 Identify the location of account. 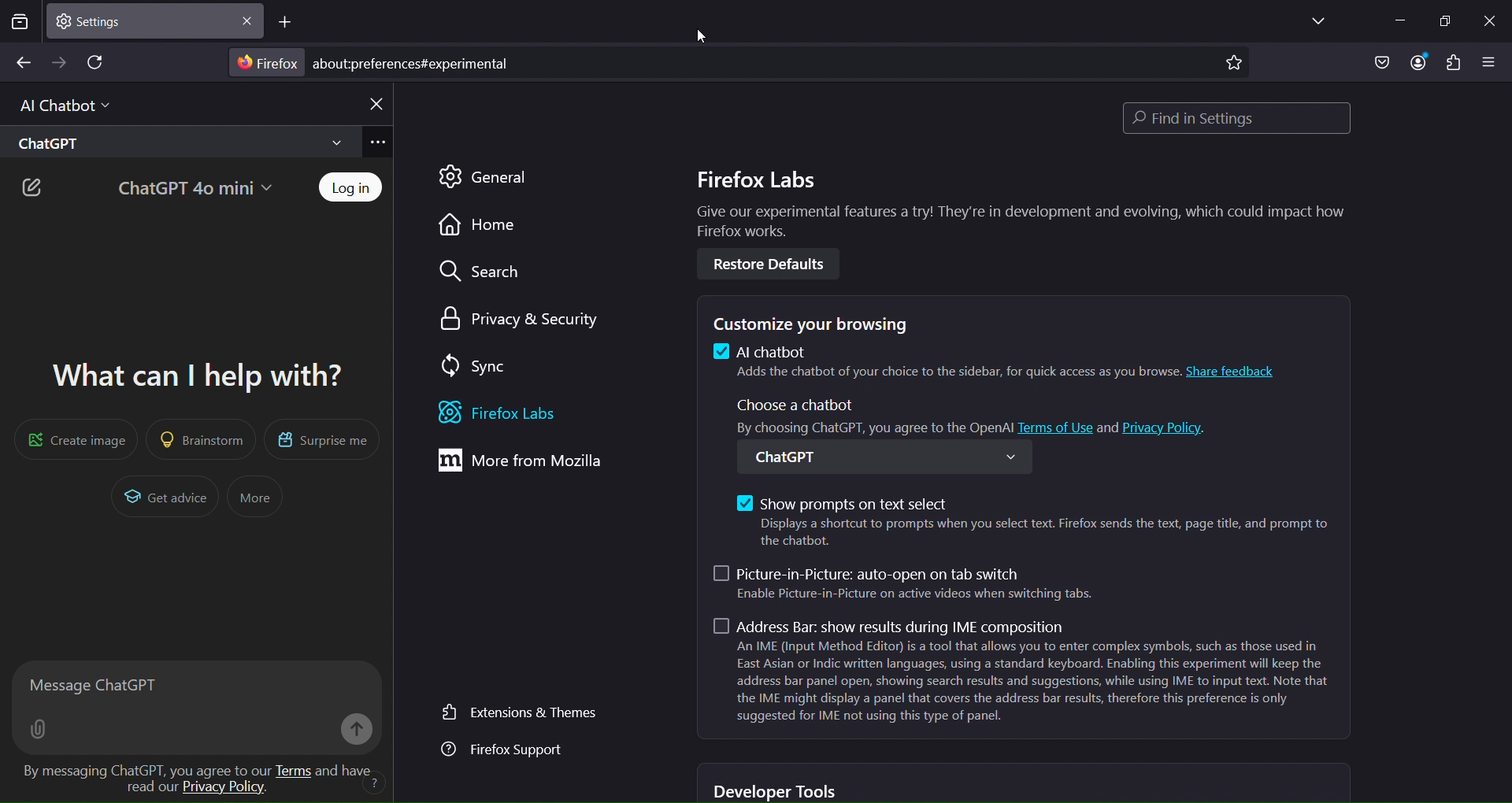
(1415, 62).